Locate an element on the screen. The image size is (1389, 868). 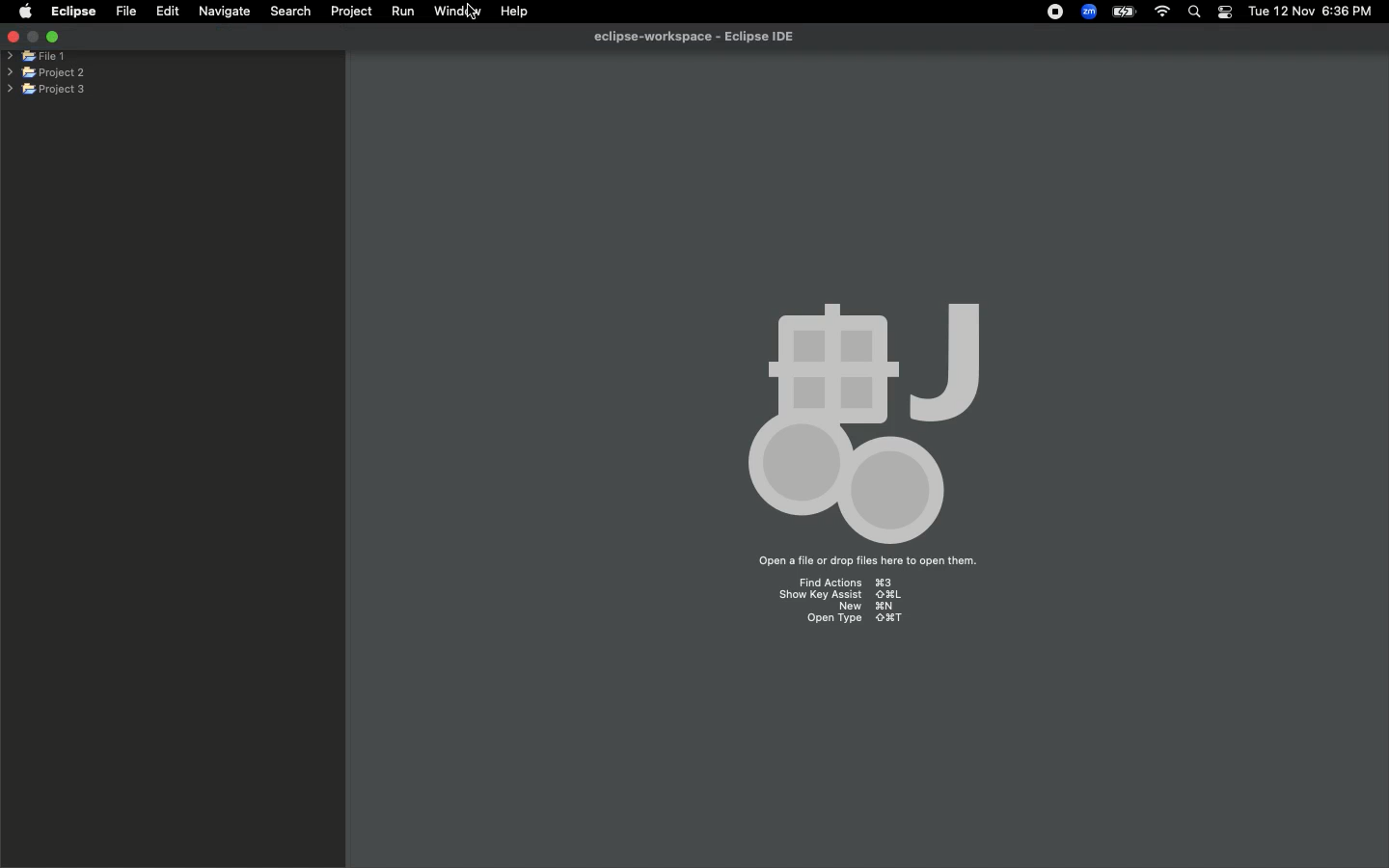
Window is located at coordinates (453, 11).